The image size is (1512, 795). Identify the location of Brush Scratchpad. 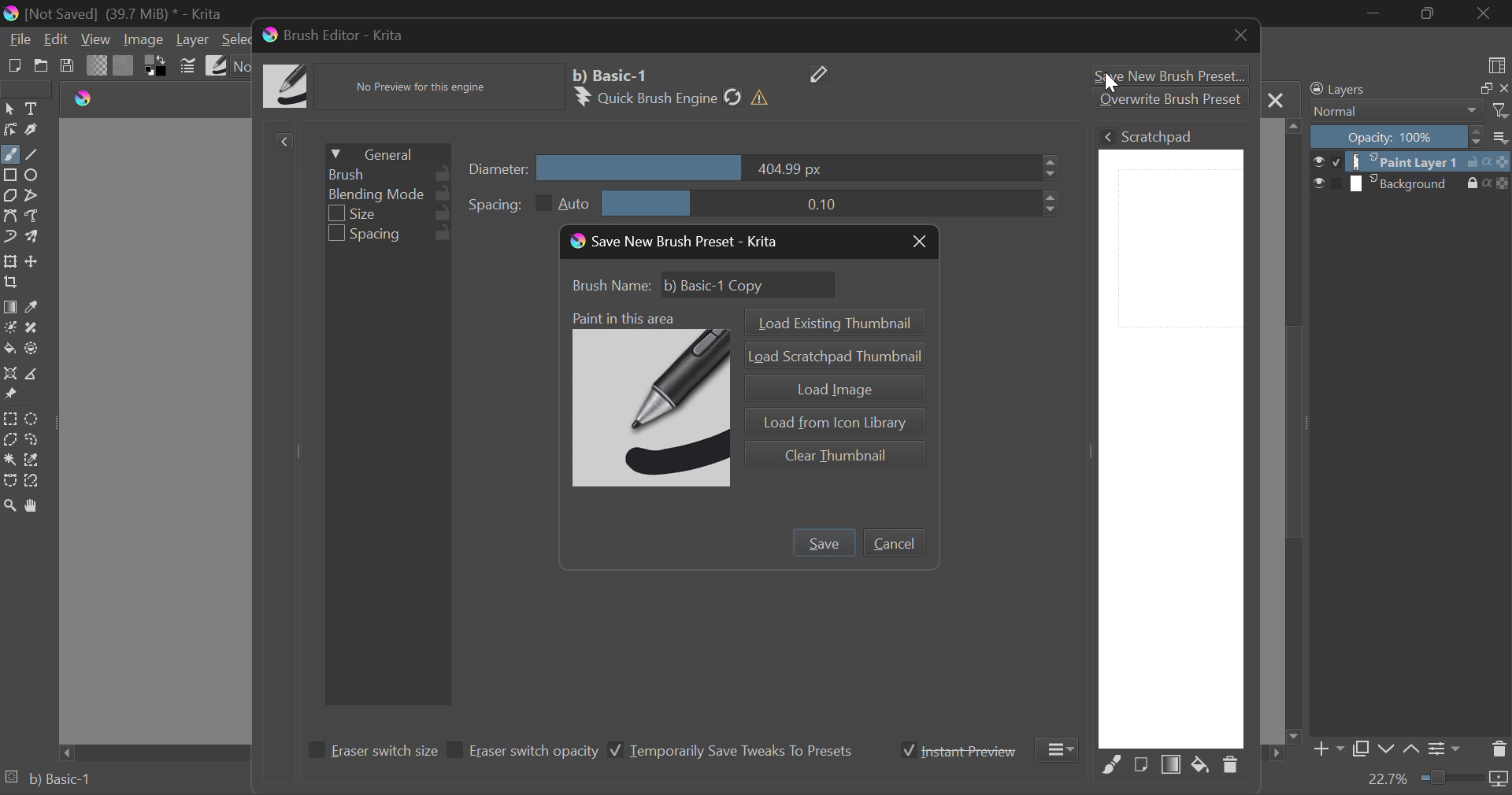
(1171, 436).